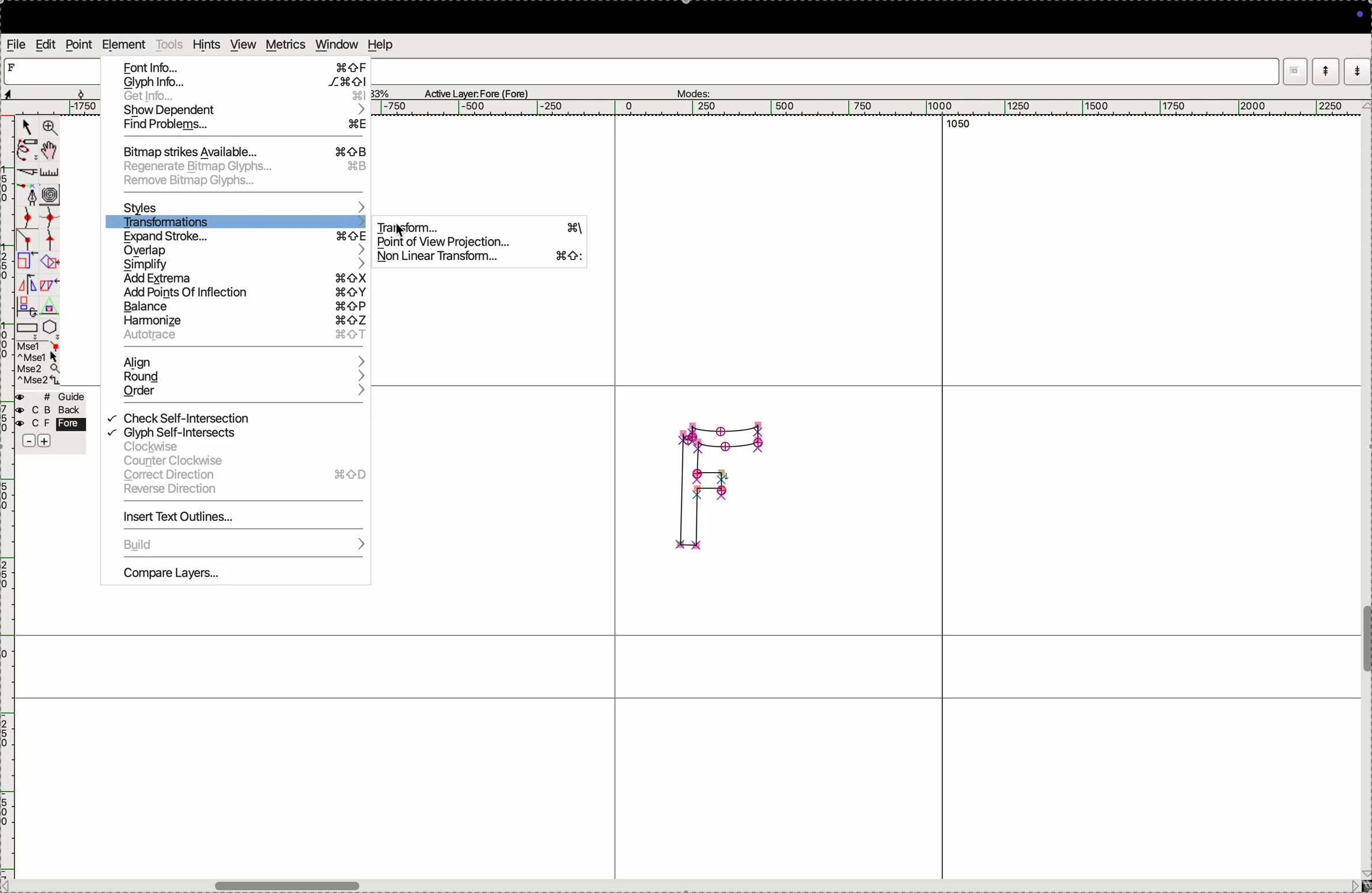  What do you see at coordinates (27, 330) in the screenshot?
I see `rectangle` at bounding box center [27, 330].